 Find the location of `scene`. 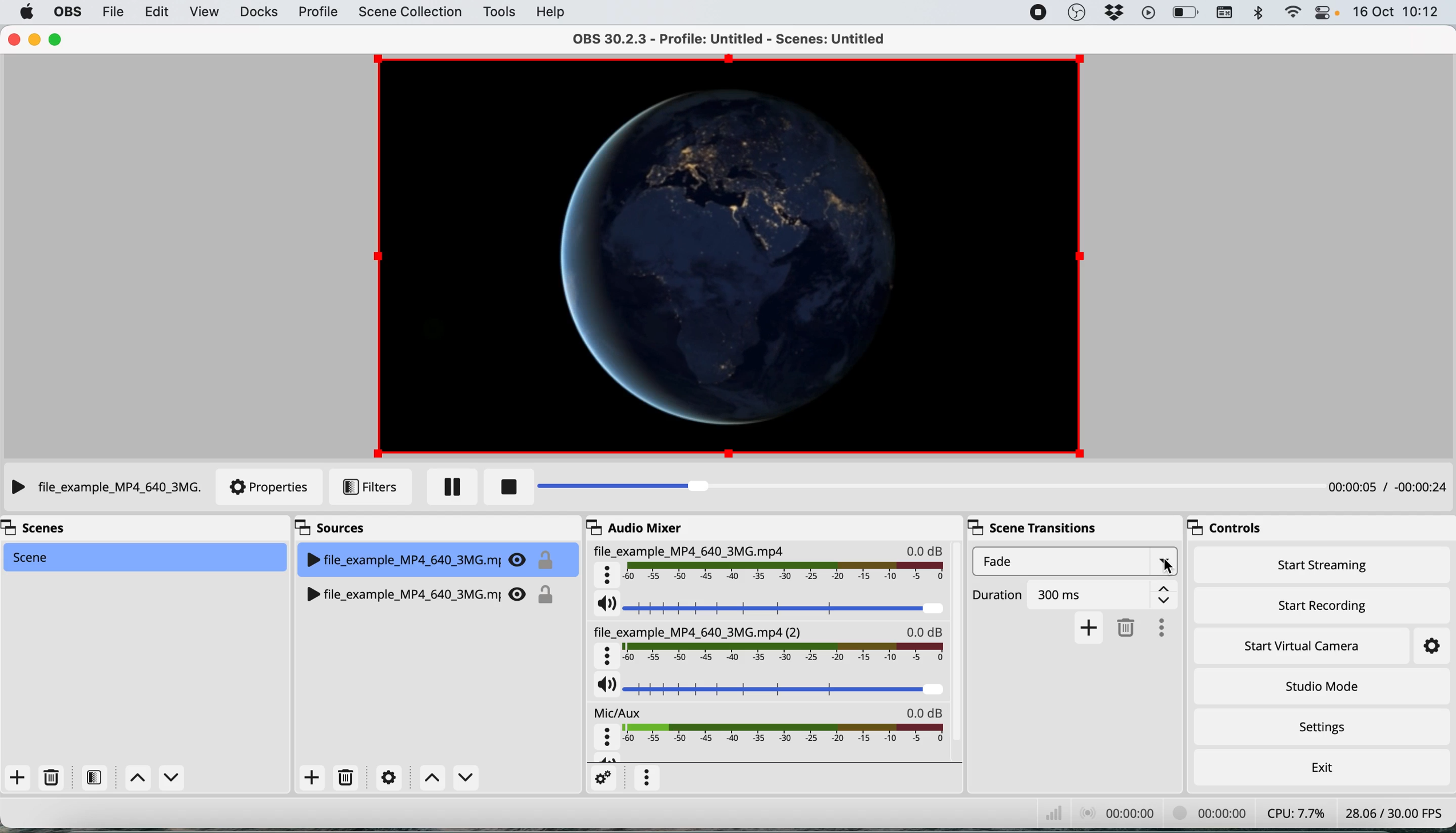

scene is located at coordinates (144, 557).